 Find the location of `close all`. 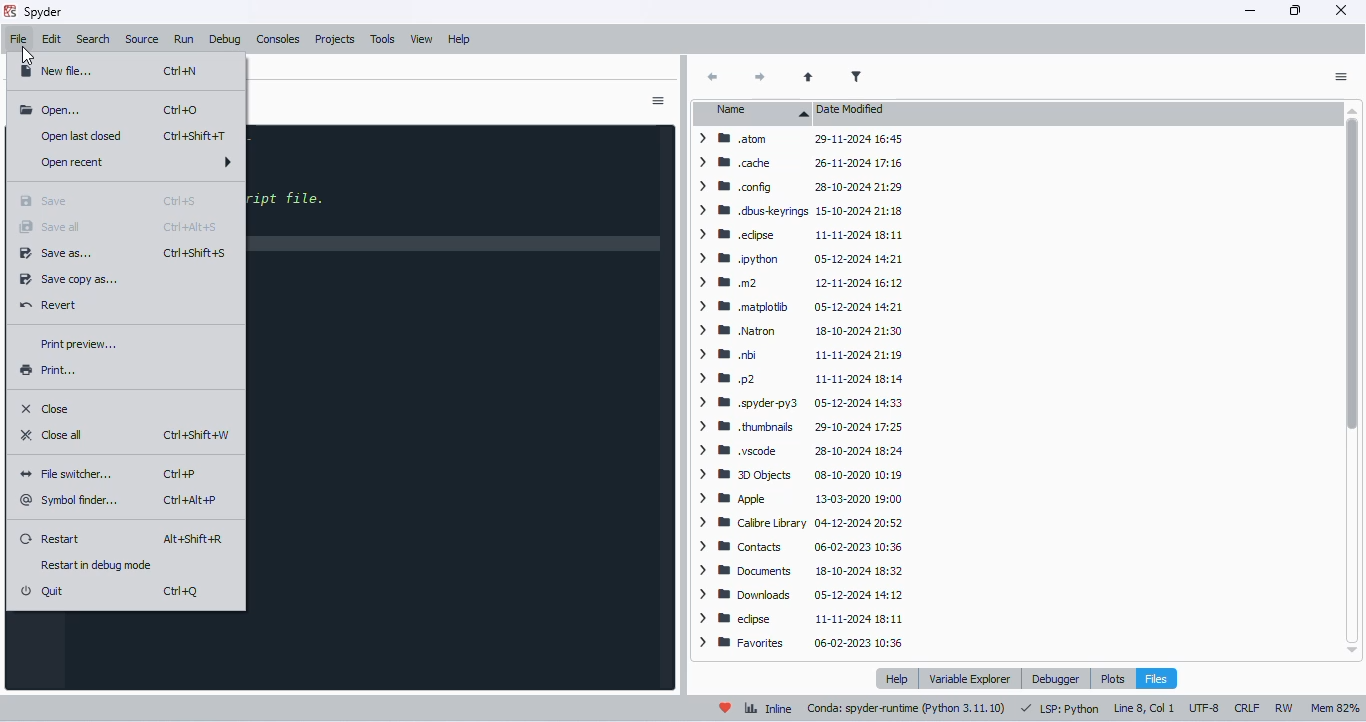

close all is located at coordinates (51, 435).